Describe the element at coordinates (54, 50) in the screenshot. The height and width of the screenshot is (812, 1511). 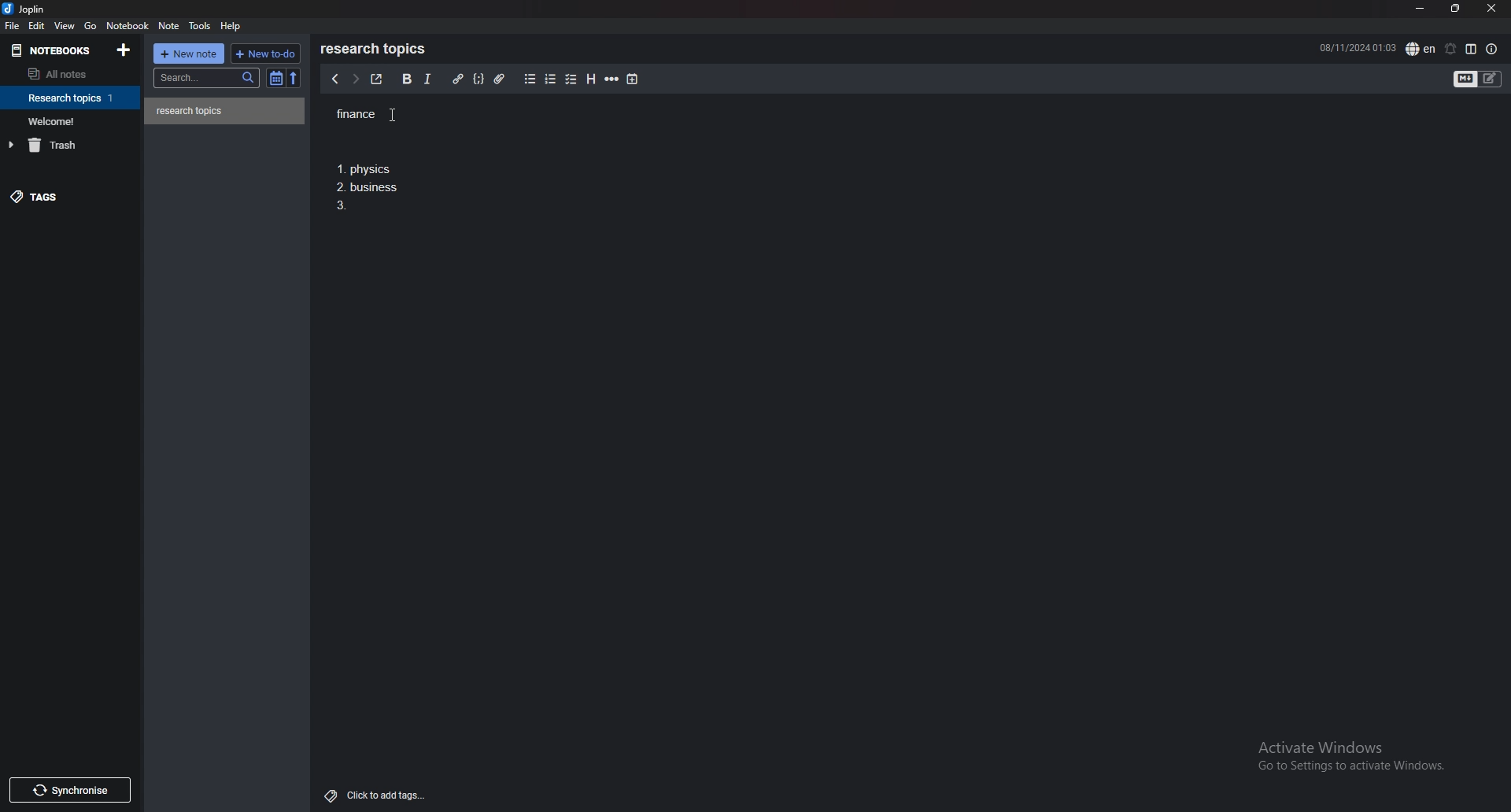
I see `notebooks` at that location.